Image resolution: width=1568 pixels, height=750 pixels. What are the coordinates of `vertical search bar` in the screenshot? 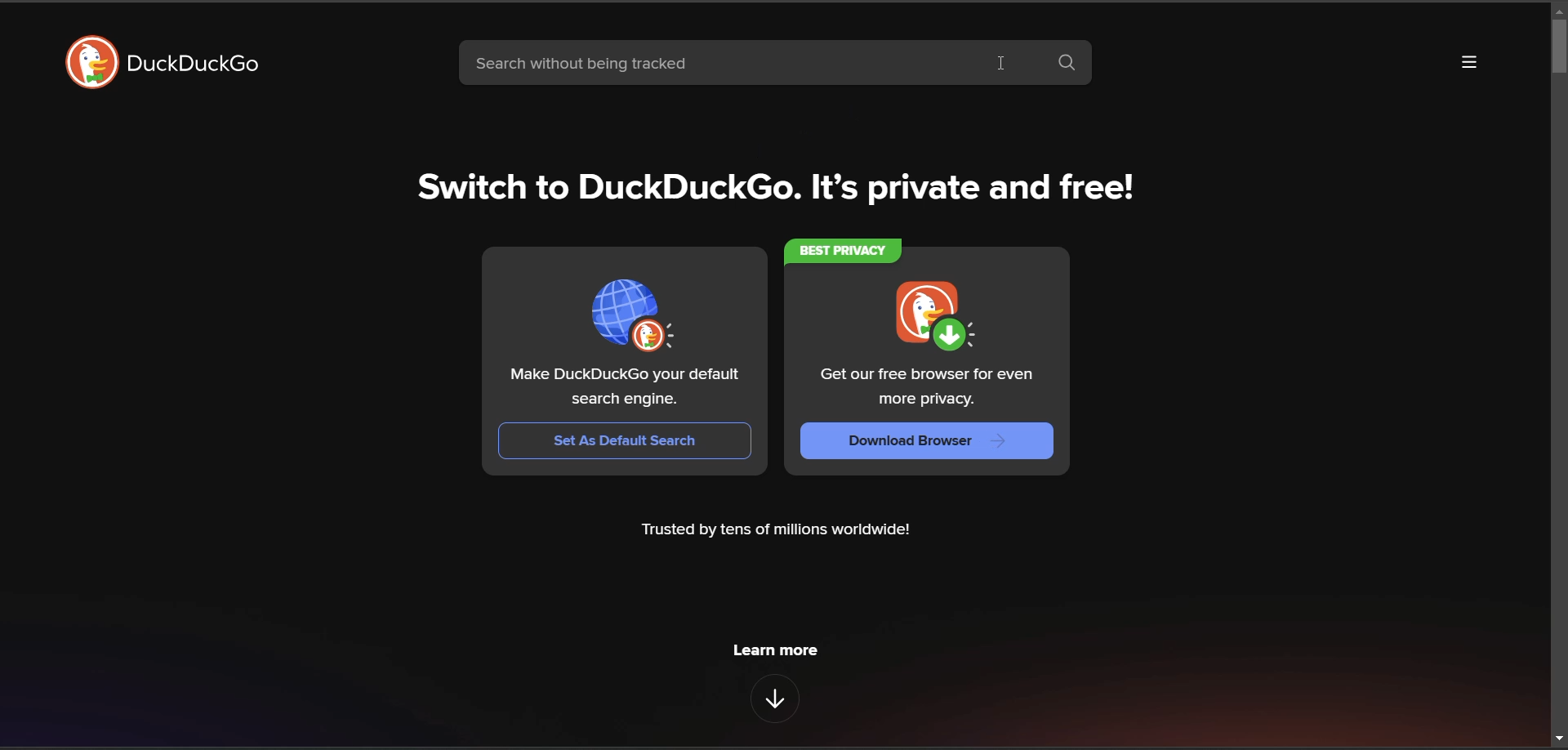 It's located at (1558, 46).